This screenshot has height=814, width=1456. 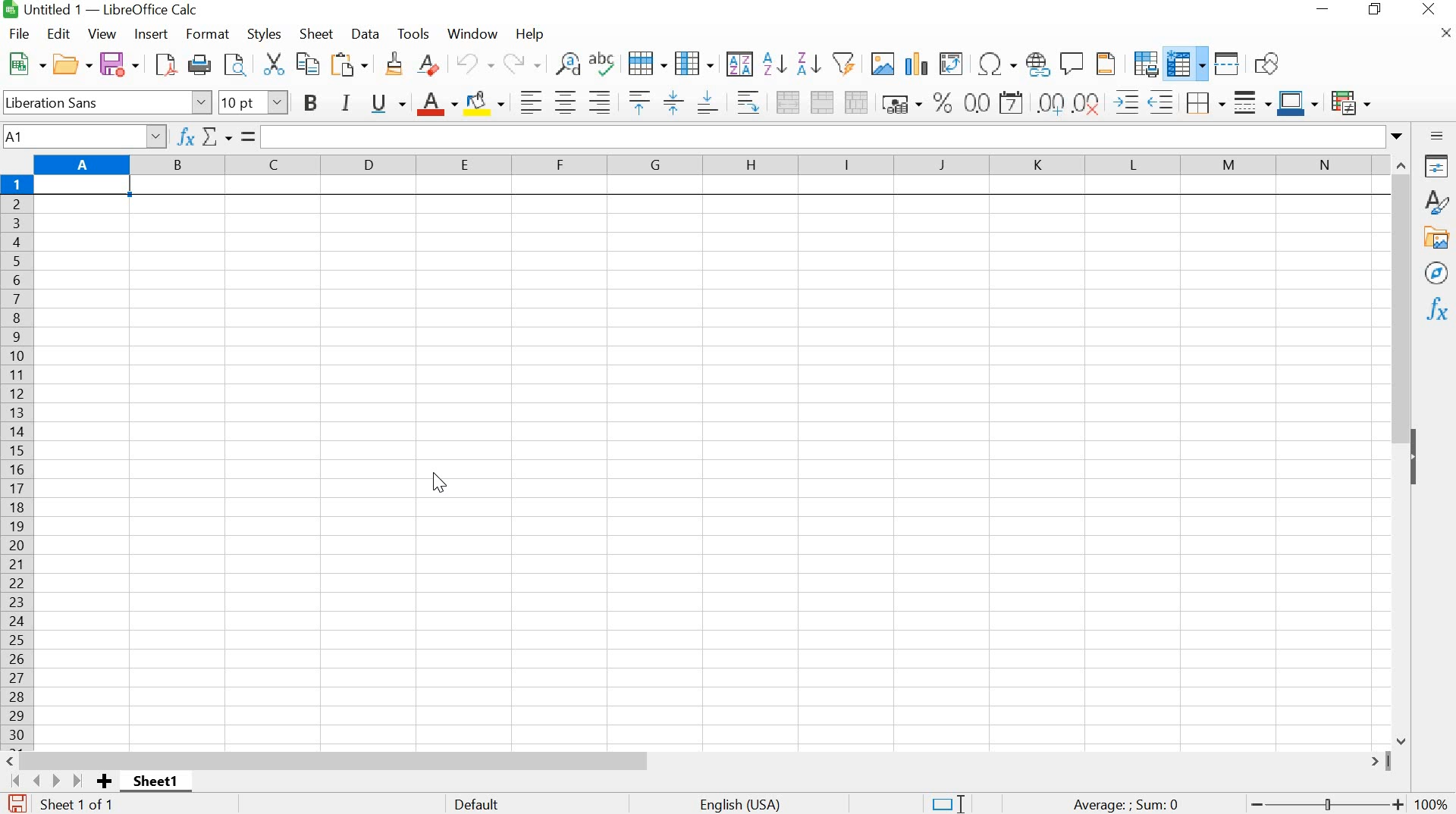 I want to click on SHEET, so click(x=317, y=36).